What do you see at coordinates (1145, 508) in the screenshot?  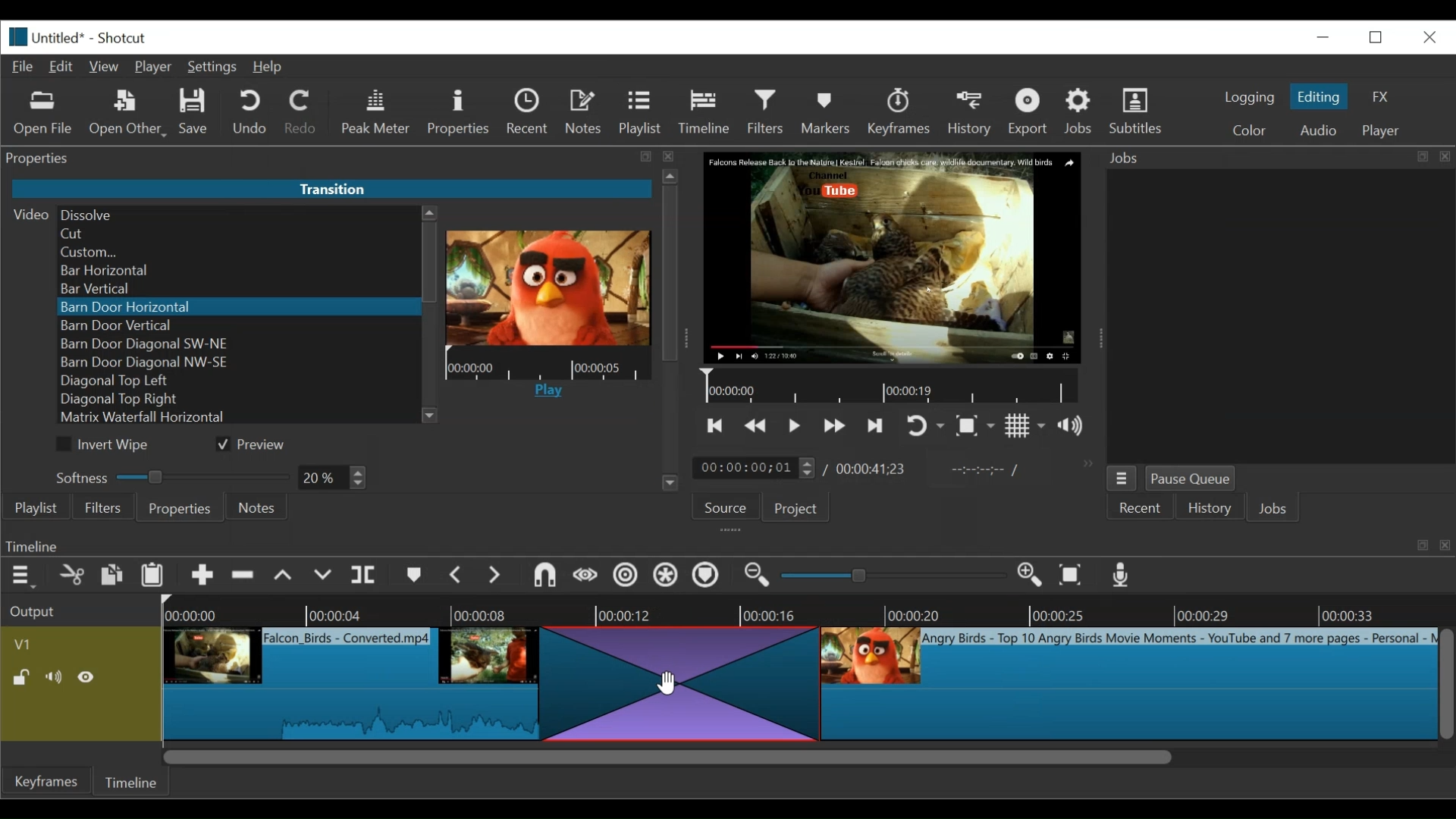 I see `Recent` at bounding box center [1145, 508].